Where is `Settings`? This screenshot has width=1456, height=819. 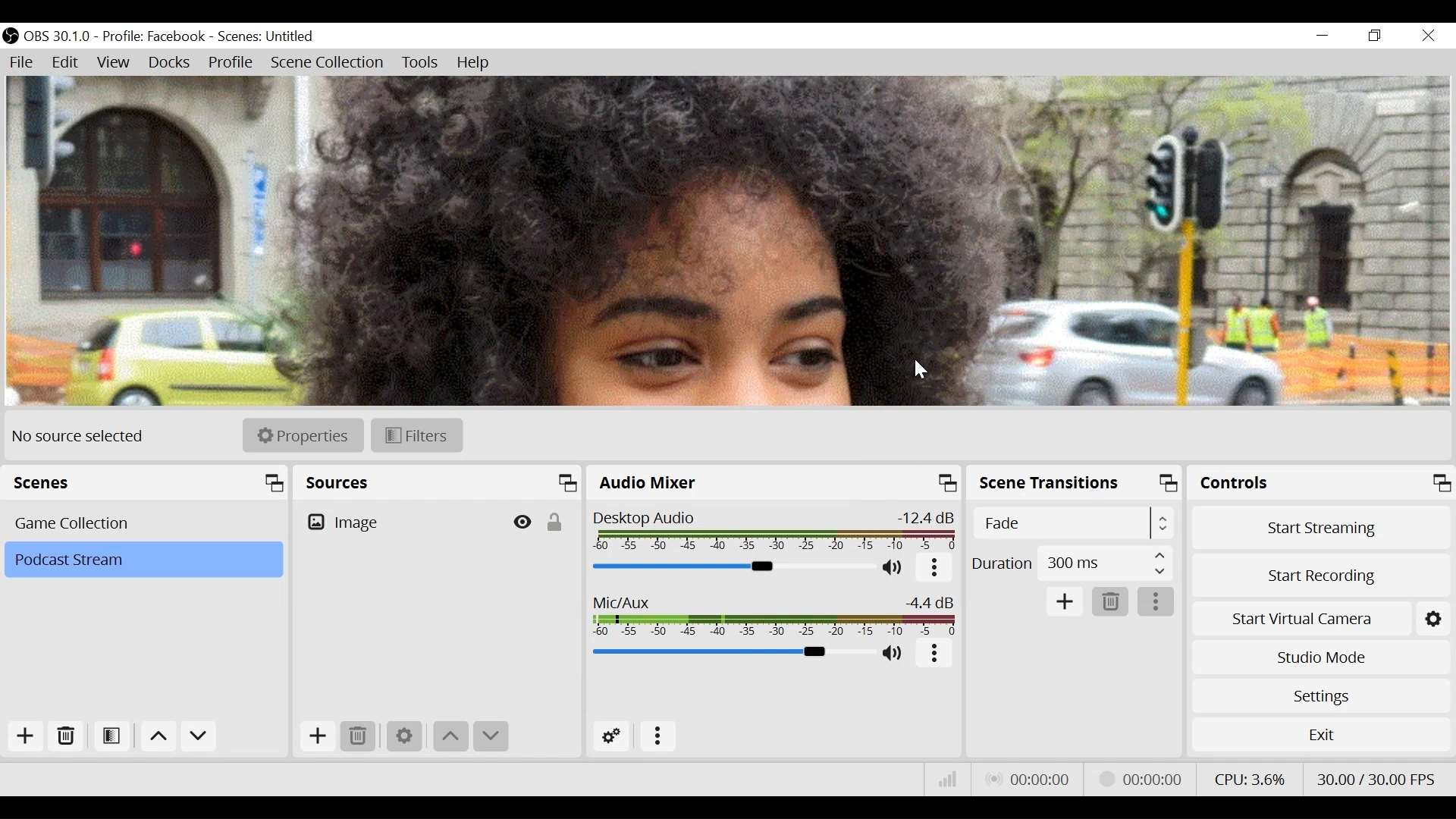 Settings is located at coordinates (406, 739).